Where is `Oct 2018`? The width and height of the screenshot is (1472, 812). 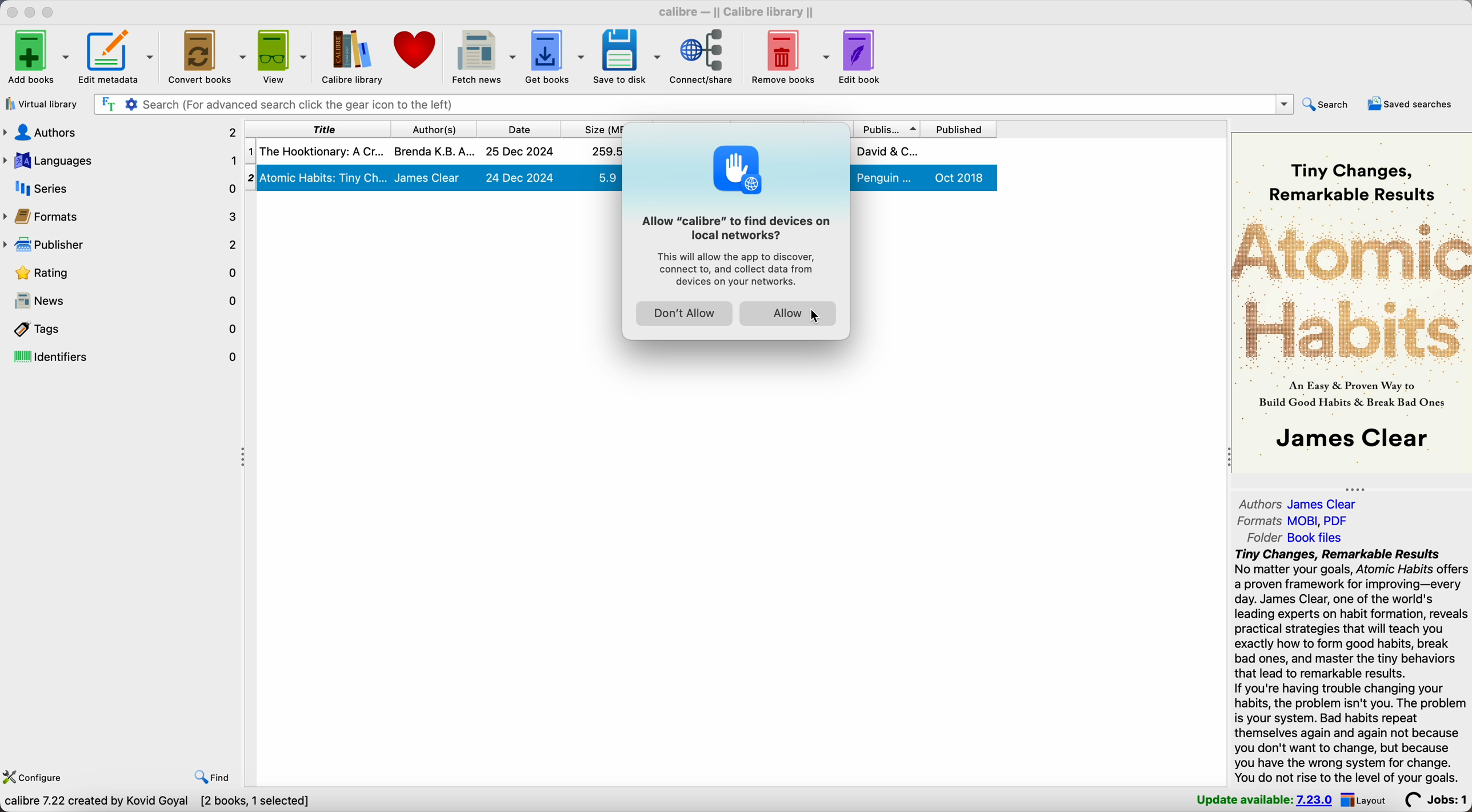 Oct 2018 is located at coordinates (959, 176).